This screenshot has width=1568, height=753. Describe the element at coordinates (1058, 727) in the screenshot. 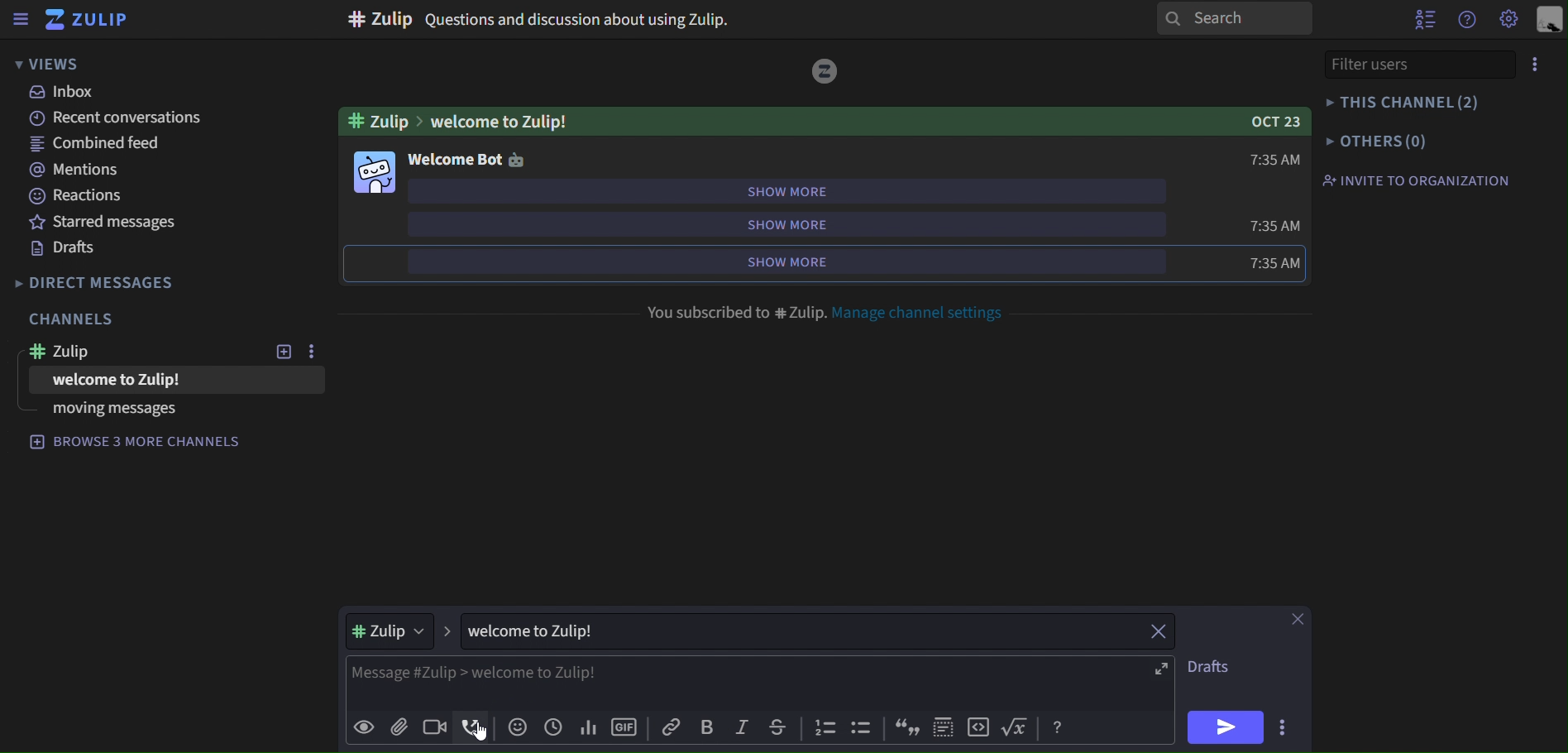

I see `` at that location.